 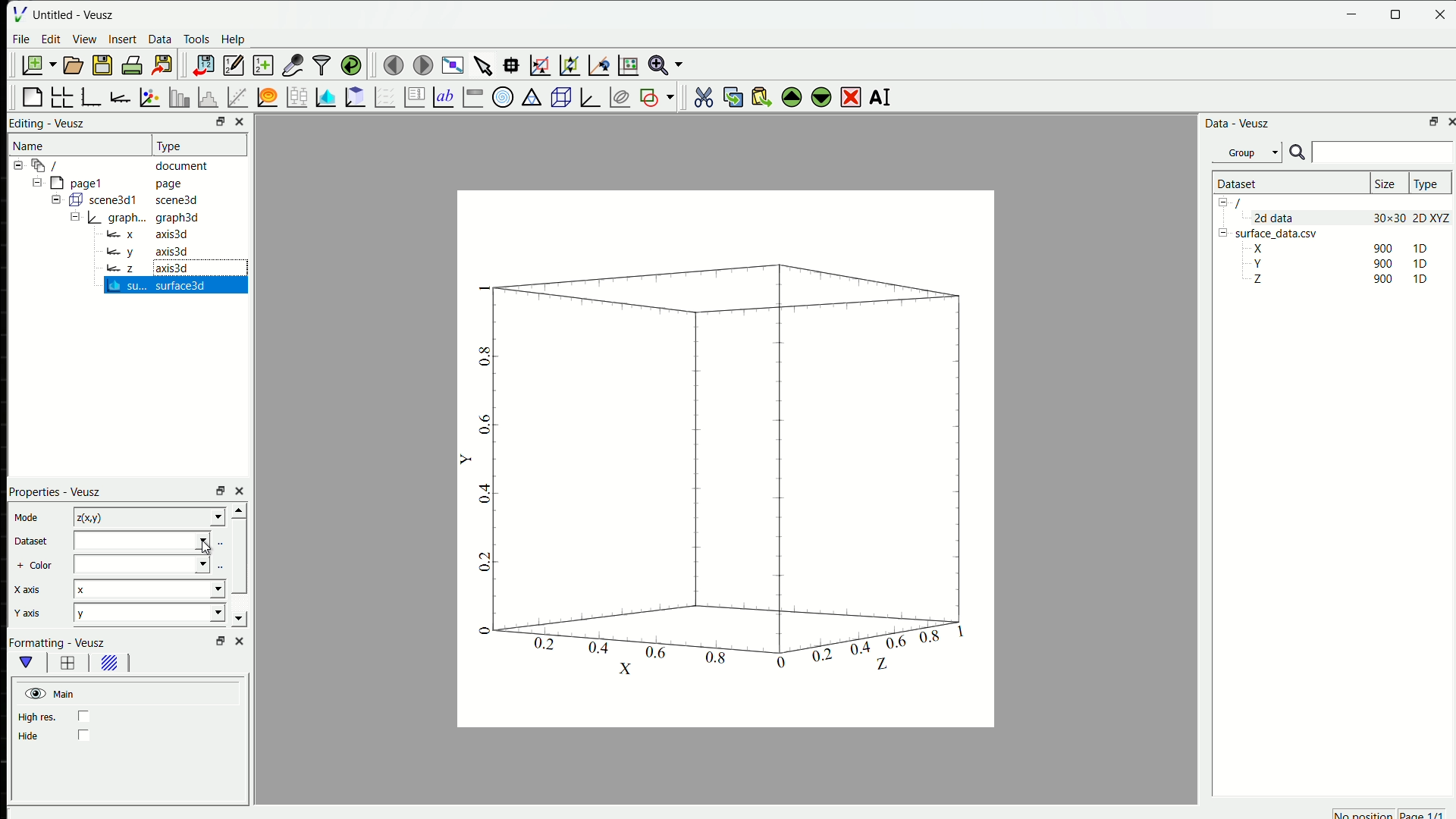 What do you see at coordinates (1427, 184) in the screenshot?
I see `Type` at bounding box center [1427, 184].